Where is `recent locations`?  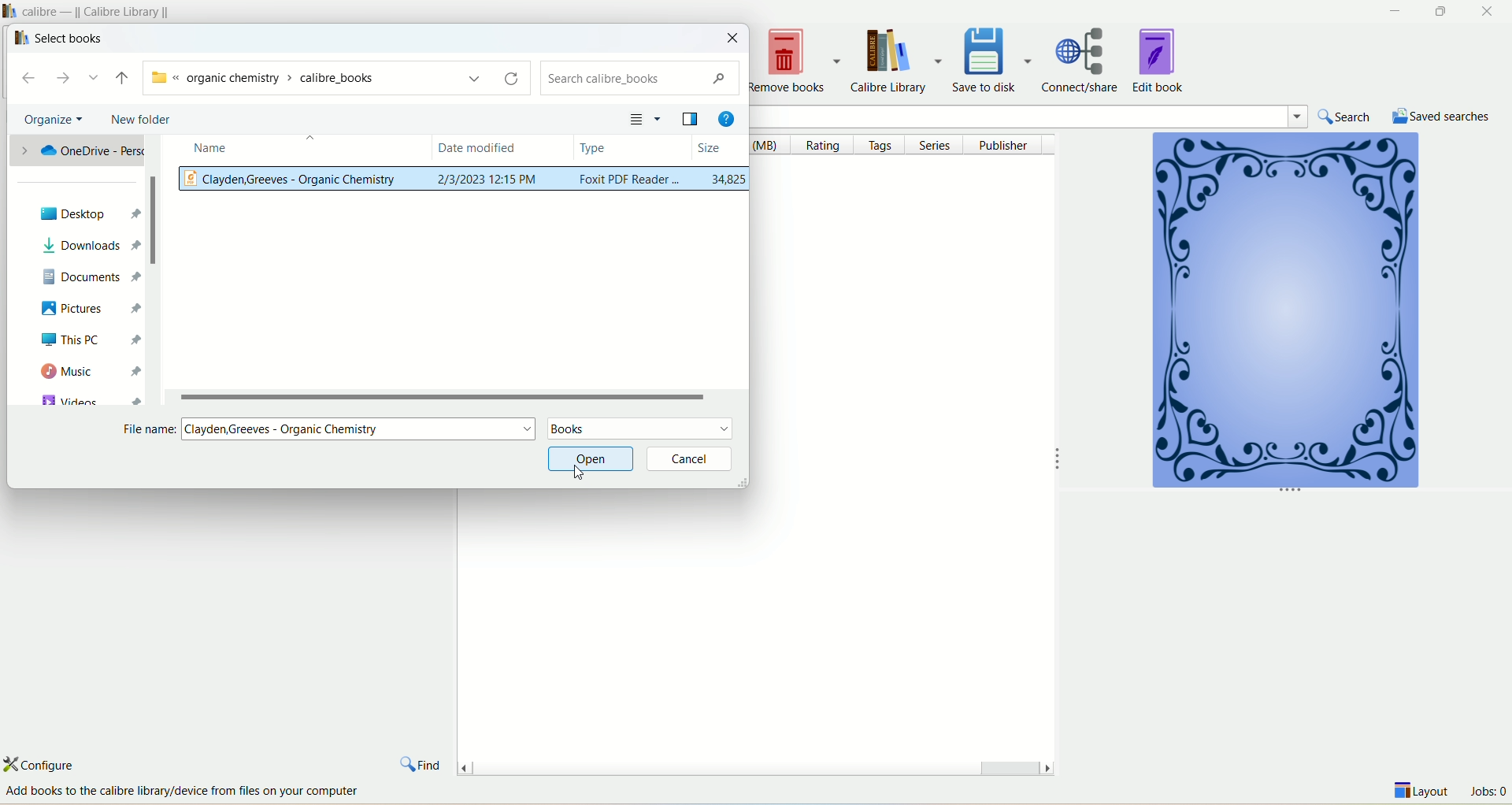 recent locations is located at coordinates (95, 78).